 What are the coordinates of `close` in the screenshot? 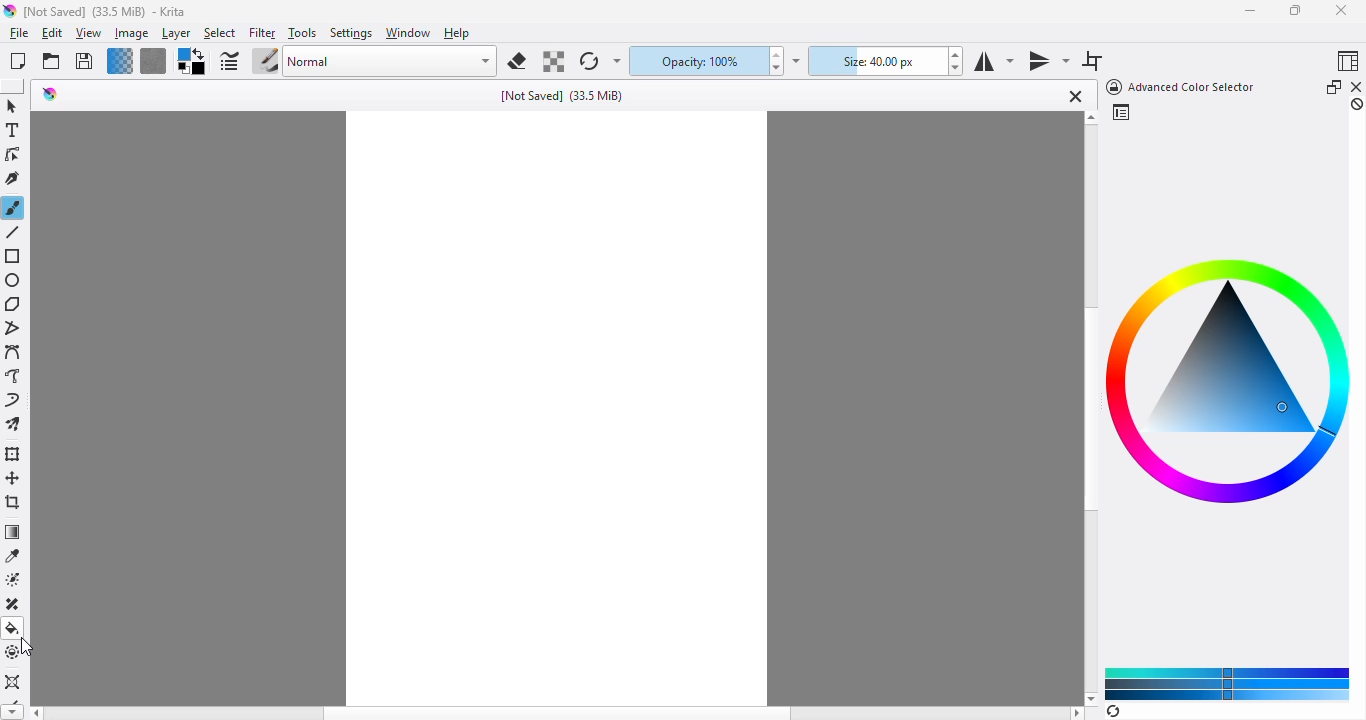 It's located at (1341, 10).